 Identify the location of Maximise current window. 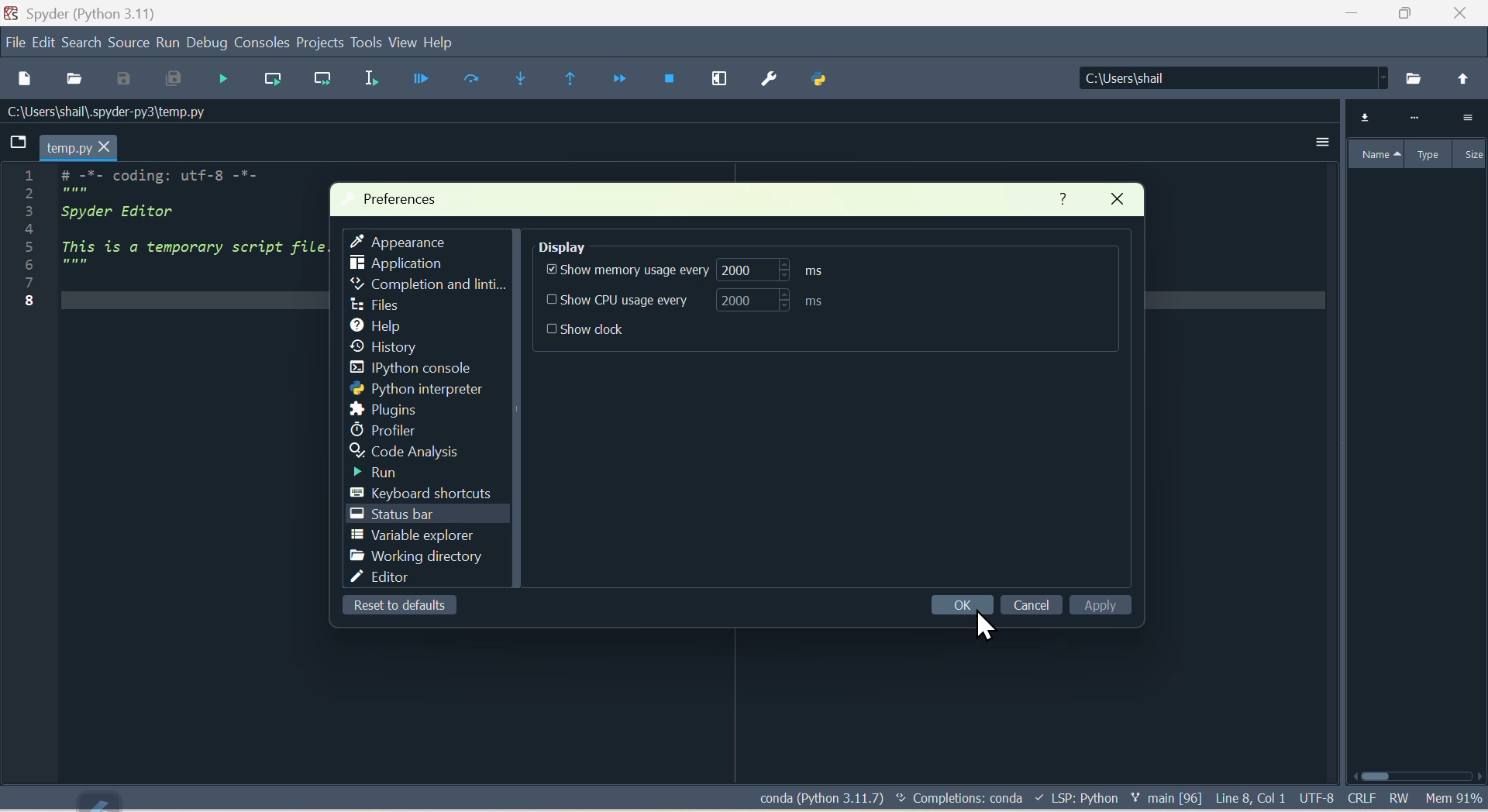
(721, 78).